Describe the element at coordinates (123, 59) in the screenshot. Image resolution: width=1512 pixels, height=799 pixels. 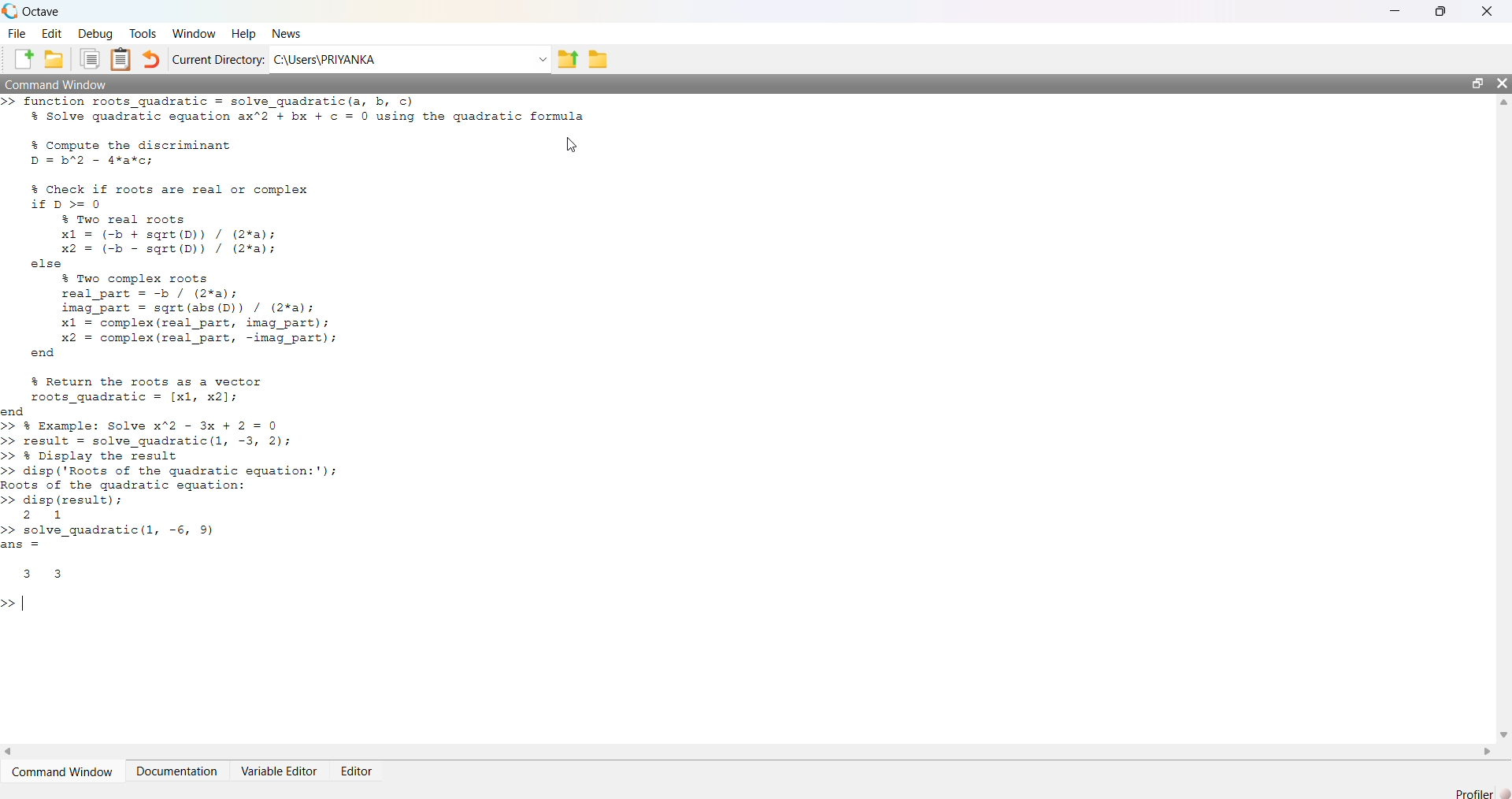
I see `Paste` at that location.